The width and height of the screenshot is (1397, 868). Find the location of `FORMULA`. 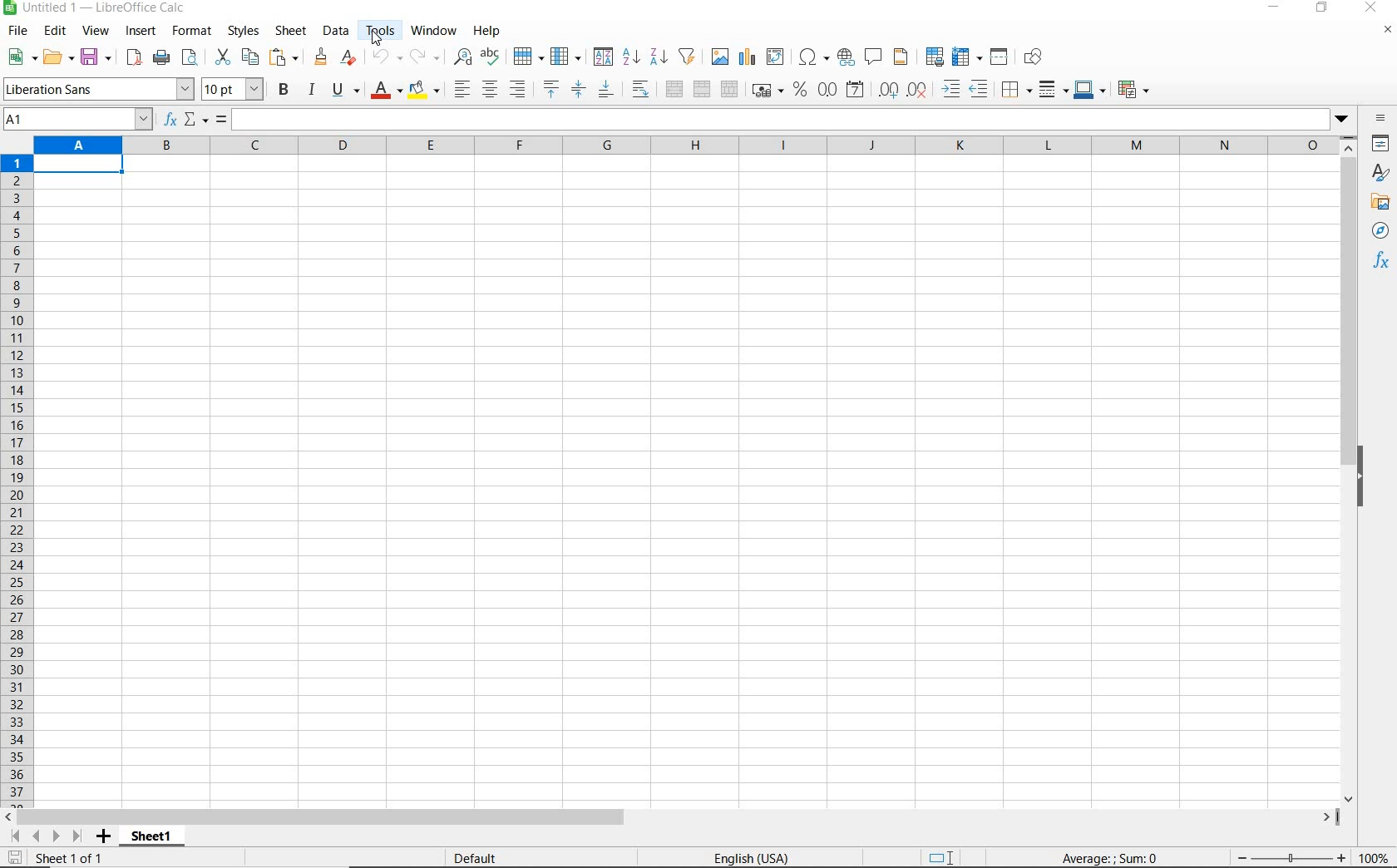

FORMULA is located at coordinates (1104, 856).